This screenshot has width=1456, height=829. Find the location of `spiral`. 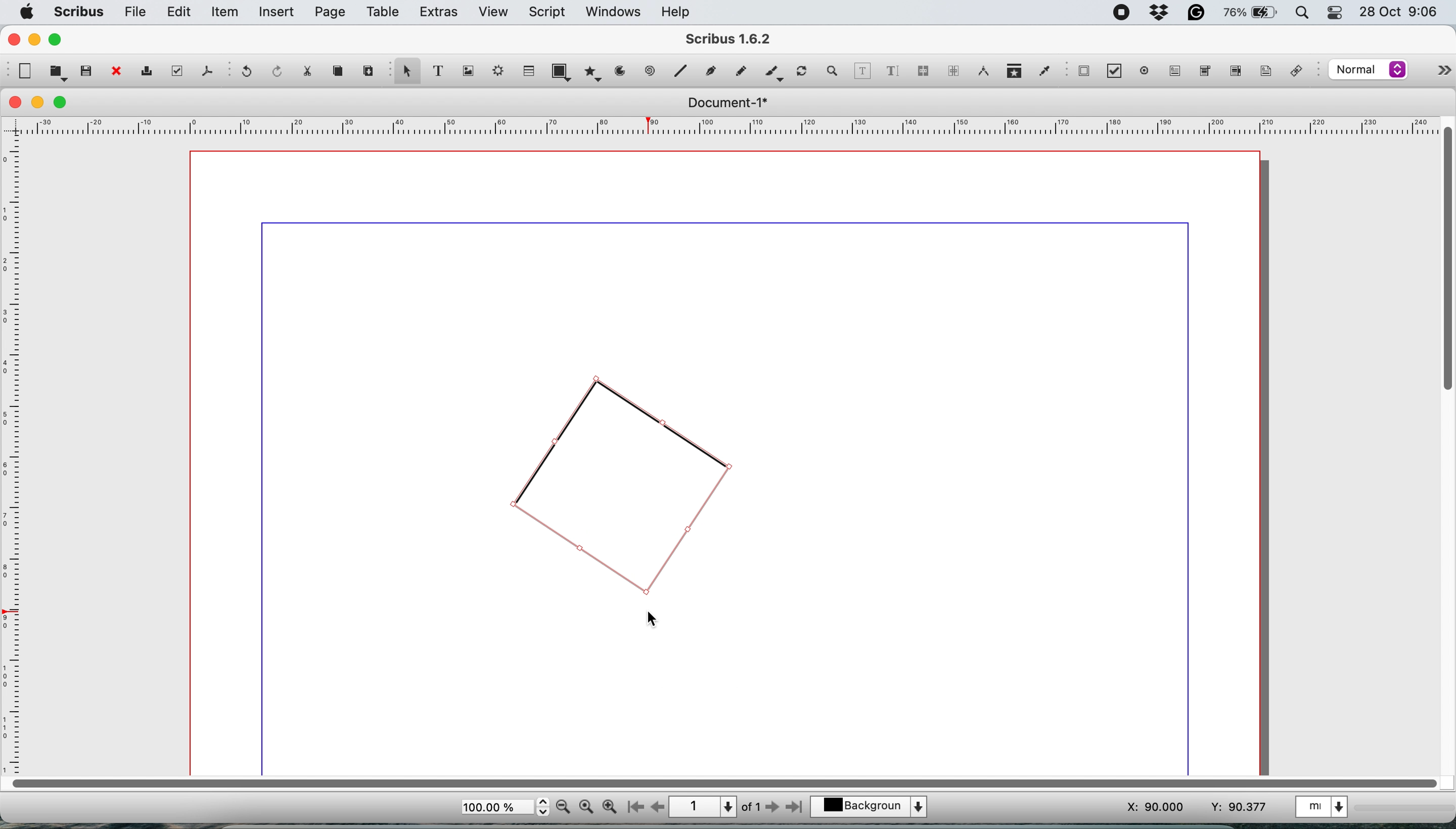

spiral is located at coordinates (683, 72).